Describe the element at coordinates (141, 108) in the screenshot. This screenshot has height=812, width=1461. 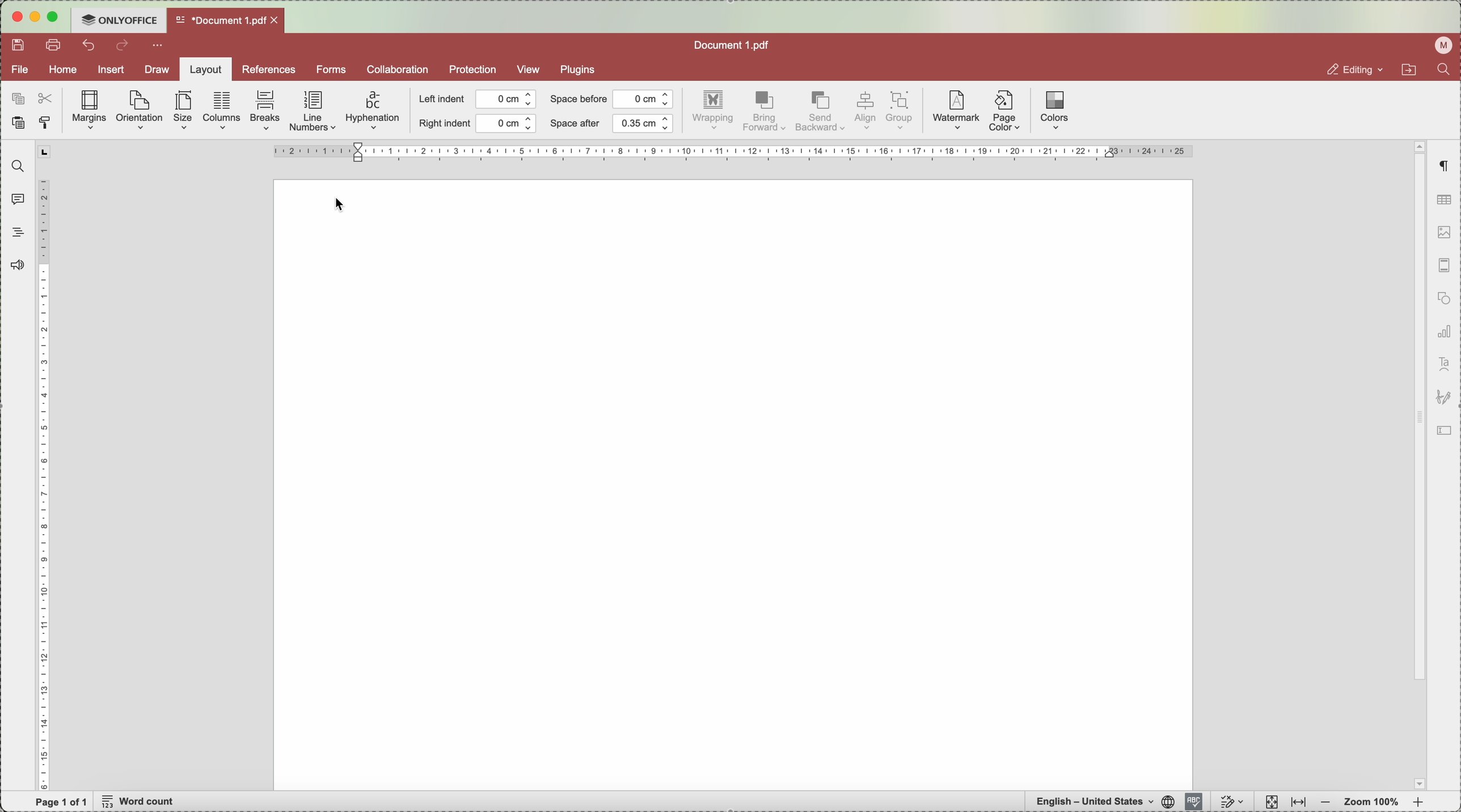
I see `orientation` at that location.